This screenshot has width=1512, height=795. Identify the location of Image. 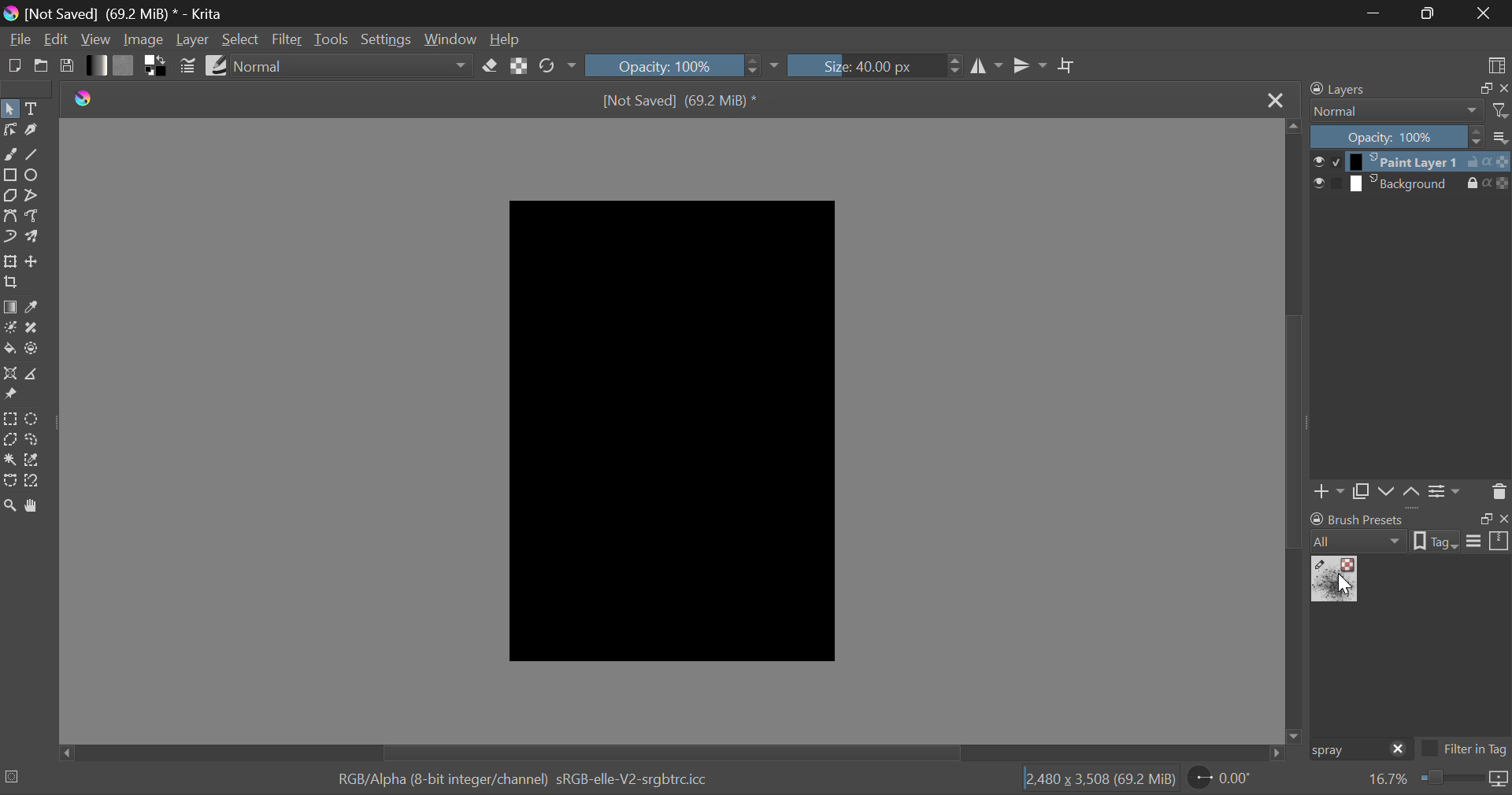
(148, 38).